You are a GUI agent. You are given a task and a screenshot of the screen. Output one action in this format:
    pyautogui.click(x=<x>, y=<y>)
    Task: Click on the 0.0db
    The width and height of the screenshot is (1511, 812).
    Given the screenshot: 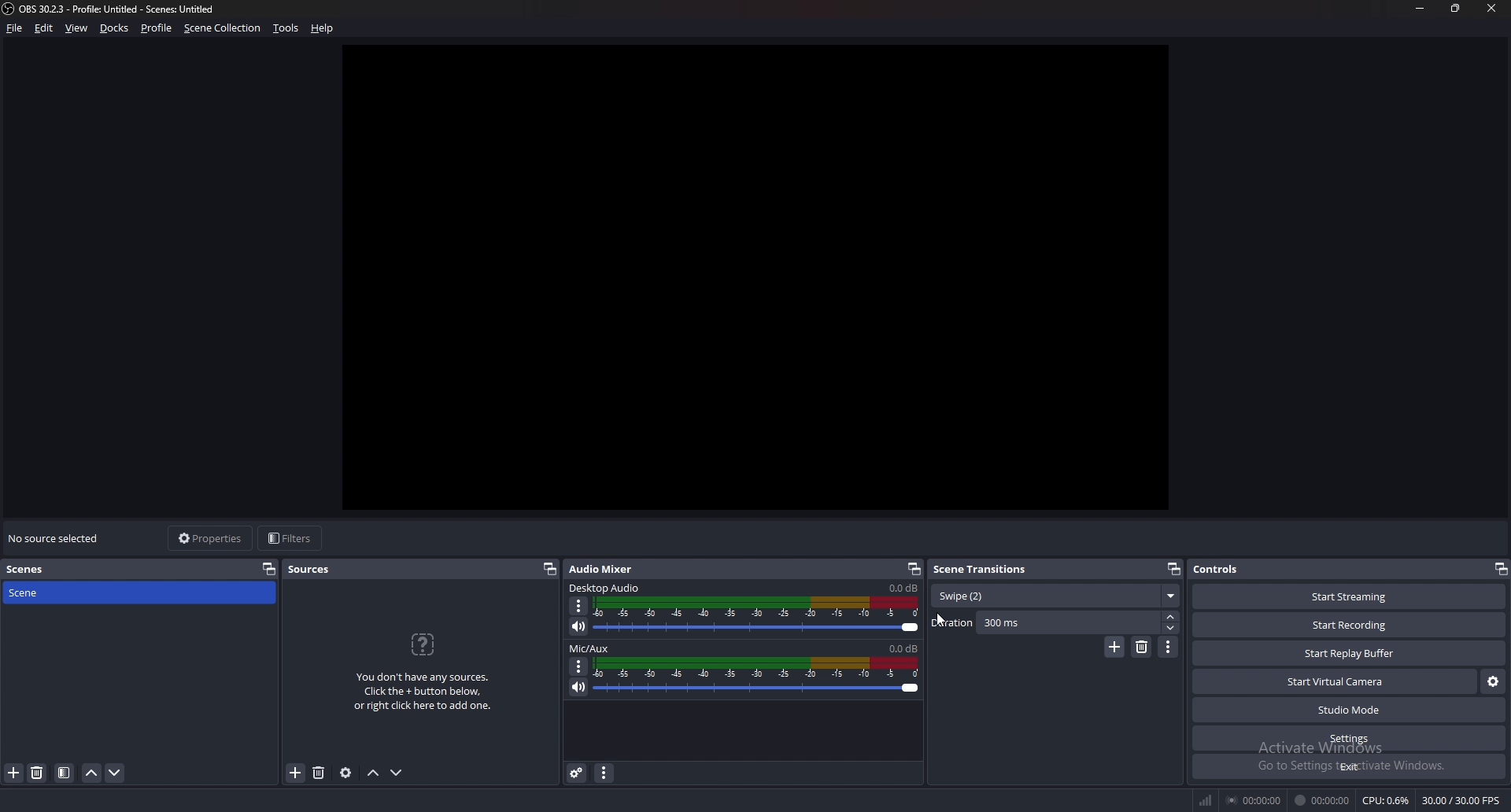 What is the action you would take?
    pyautogui.click(x=903, y=648)
    